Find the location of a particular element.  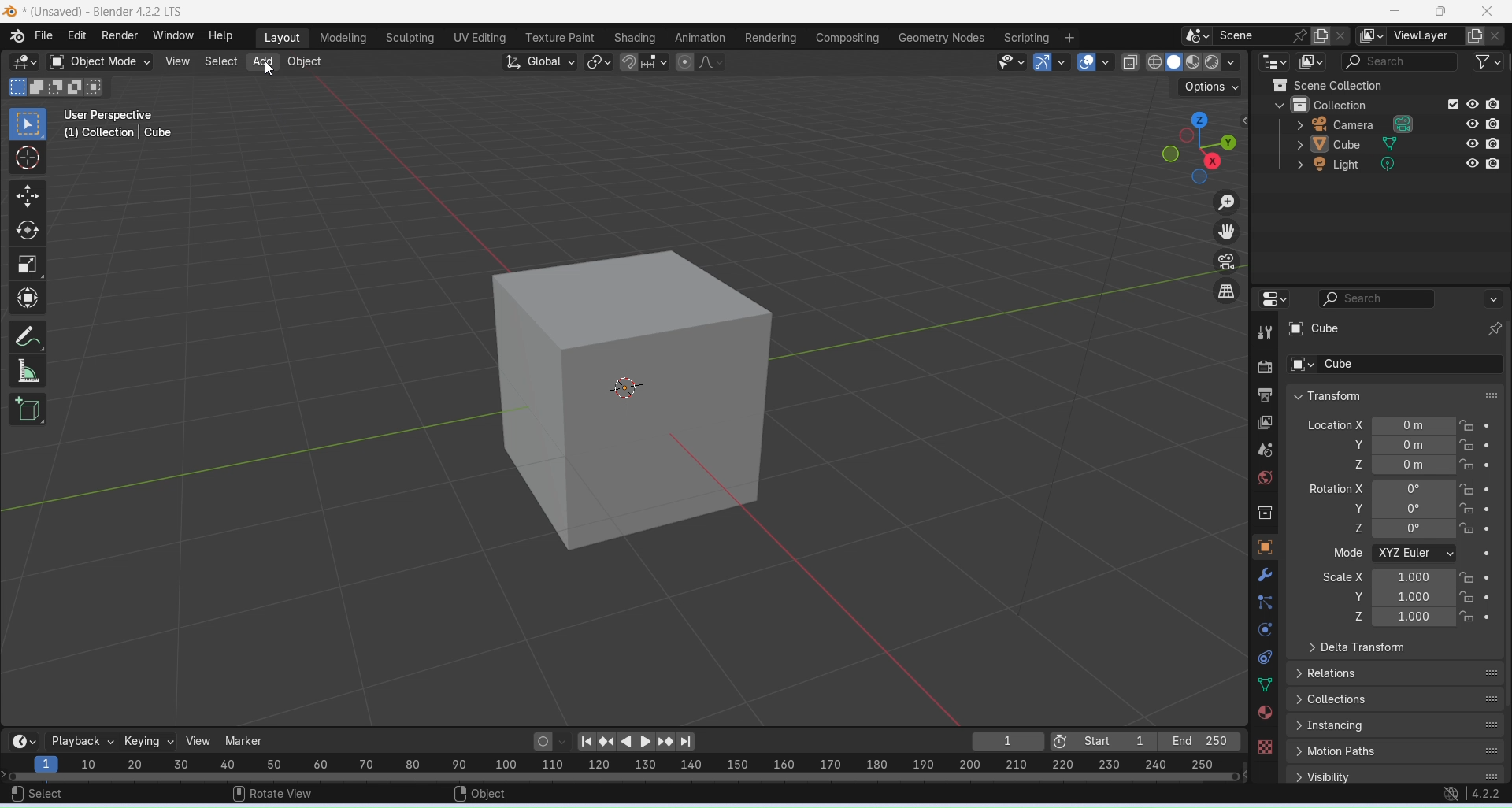

Editor type is located at coordinates (22, 62).